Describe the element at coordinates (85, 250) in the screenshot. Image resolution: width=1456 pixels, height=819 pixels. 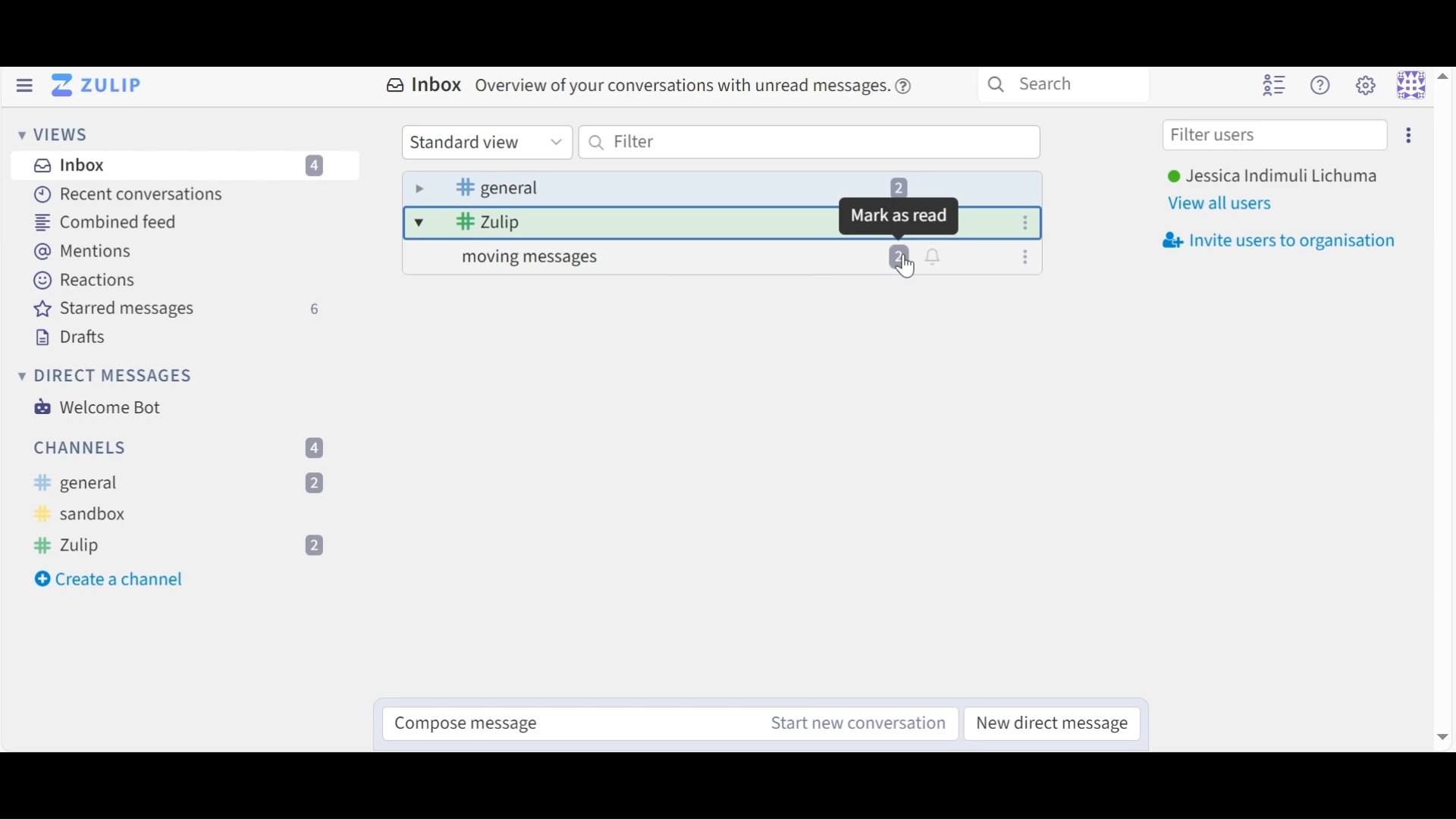
I see `Mentions` at that location.